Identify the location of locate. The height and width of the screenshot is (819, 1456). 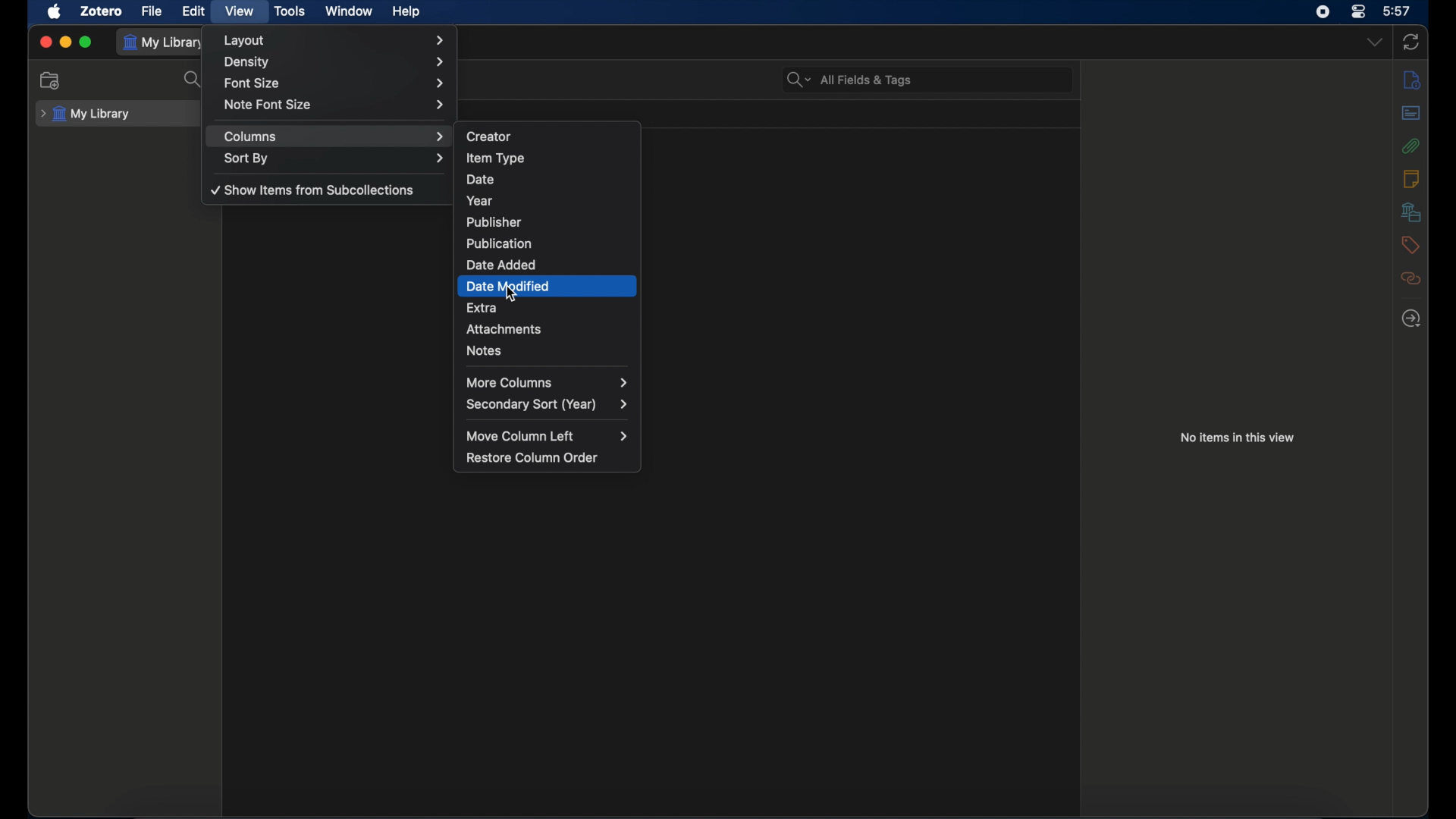
(1411, 318).